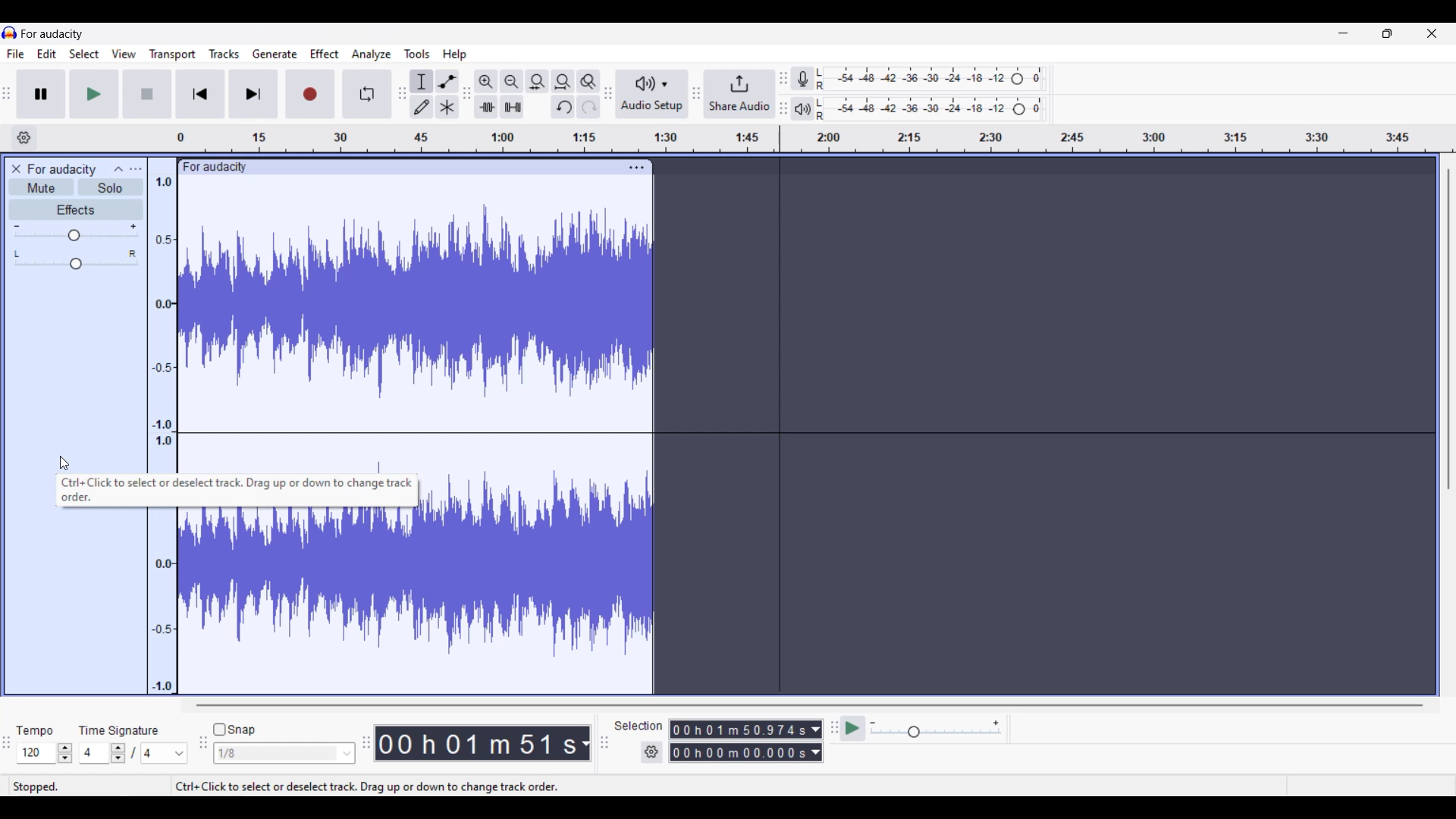 The image size is (1456, 819). Describe the element at coordinates (162, 323) in the screenshot. I see `amplitude` at that location.